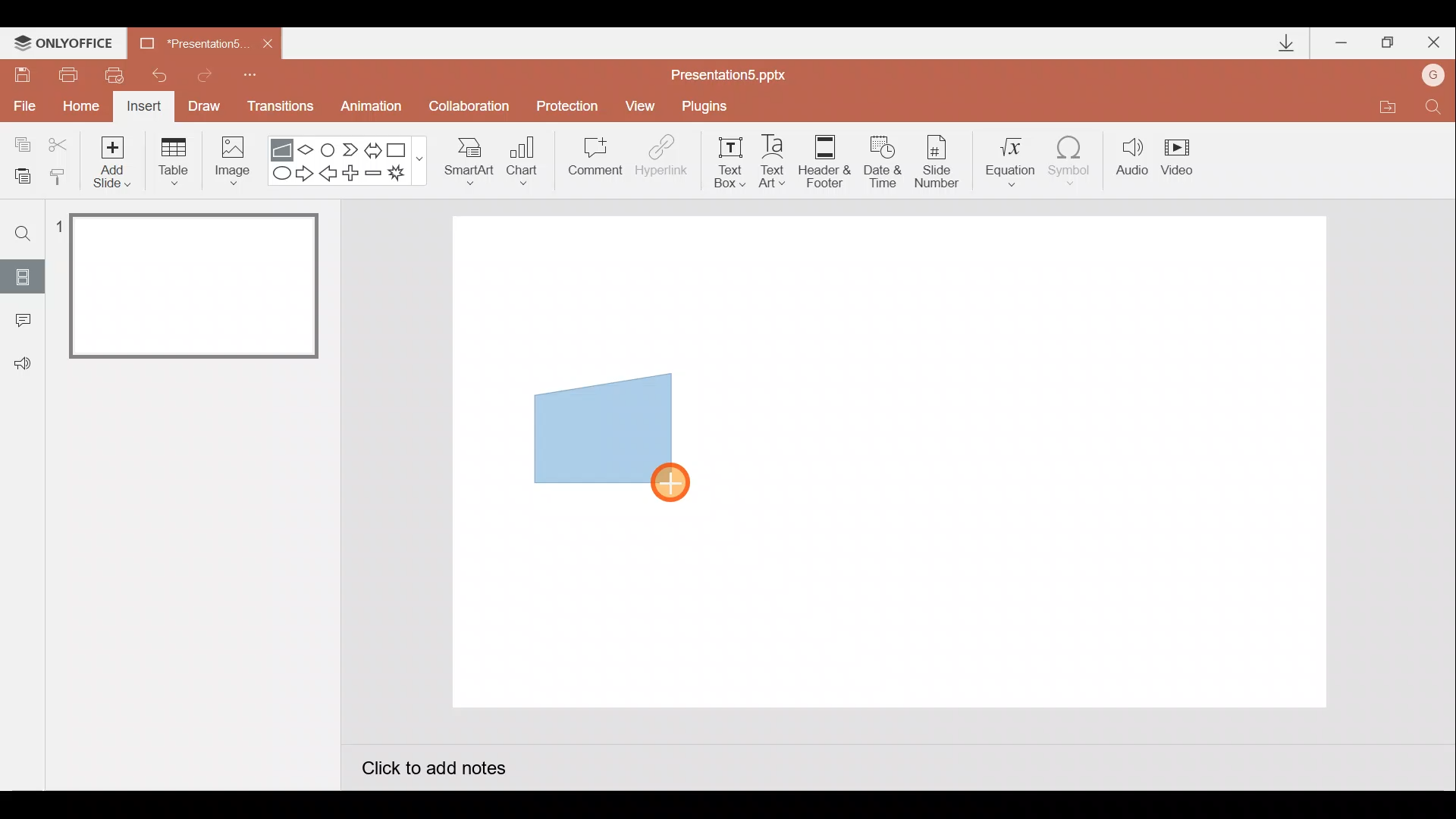  Describe the element at coordinates (1434, 77) in the screenshot. I see `Account name` at that location.